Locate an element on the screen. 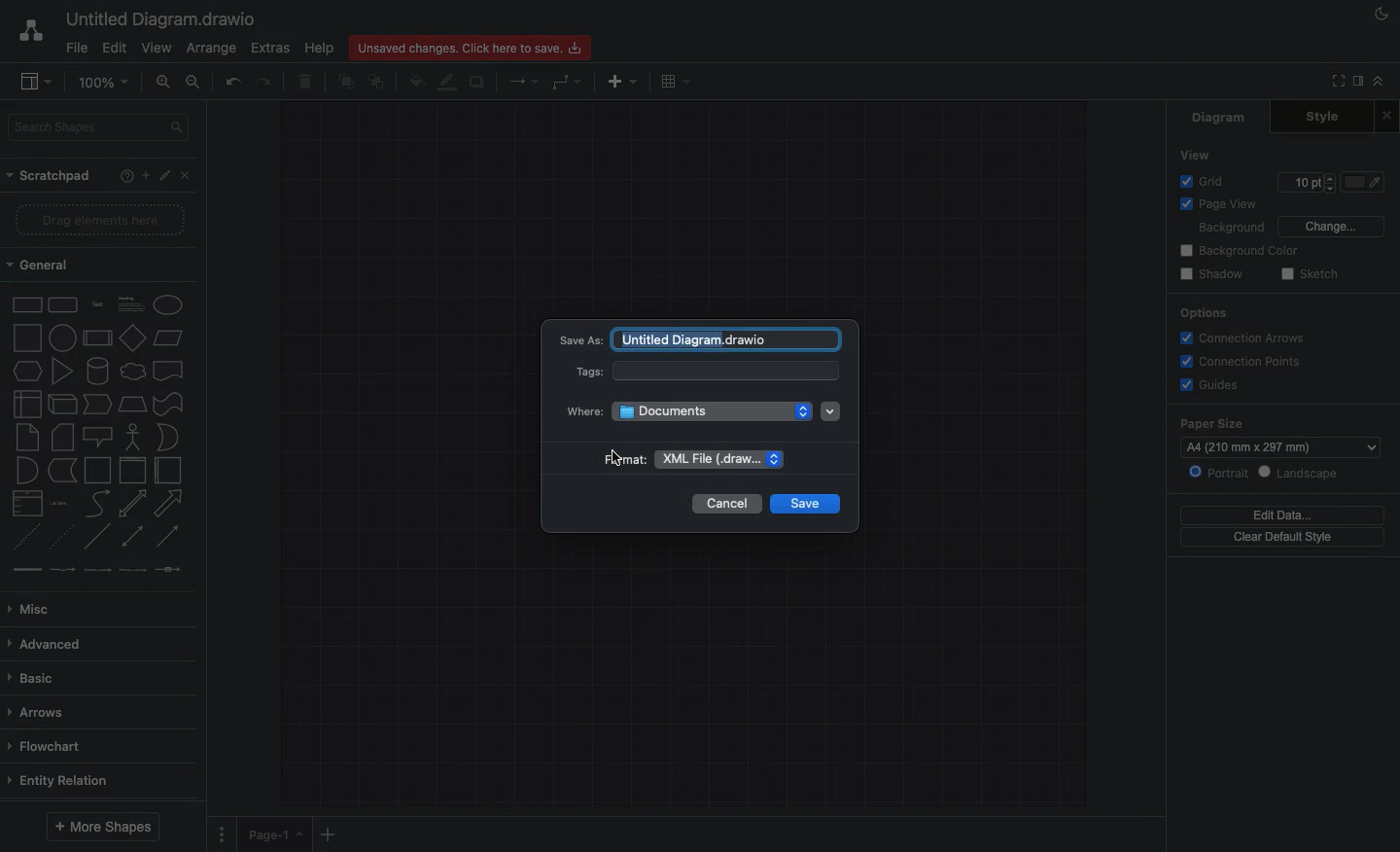 Image resolution: width=1400 pixels, height=852 pixels. Help is located at coordinates (321, 49).